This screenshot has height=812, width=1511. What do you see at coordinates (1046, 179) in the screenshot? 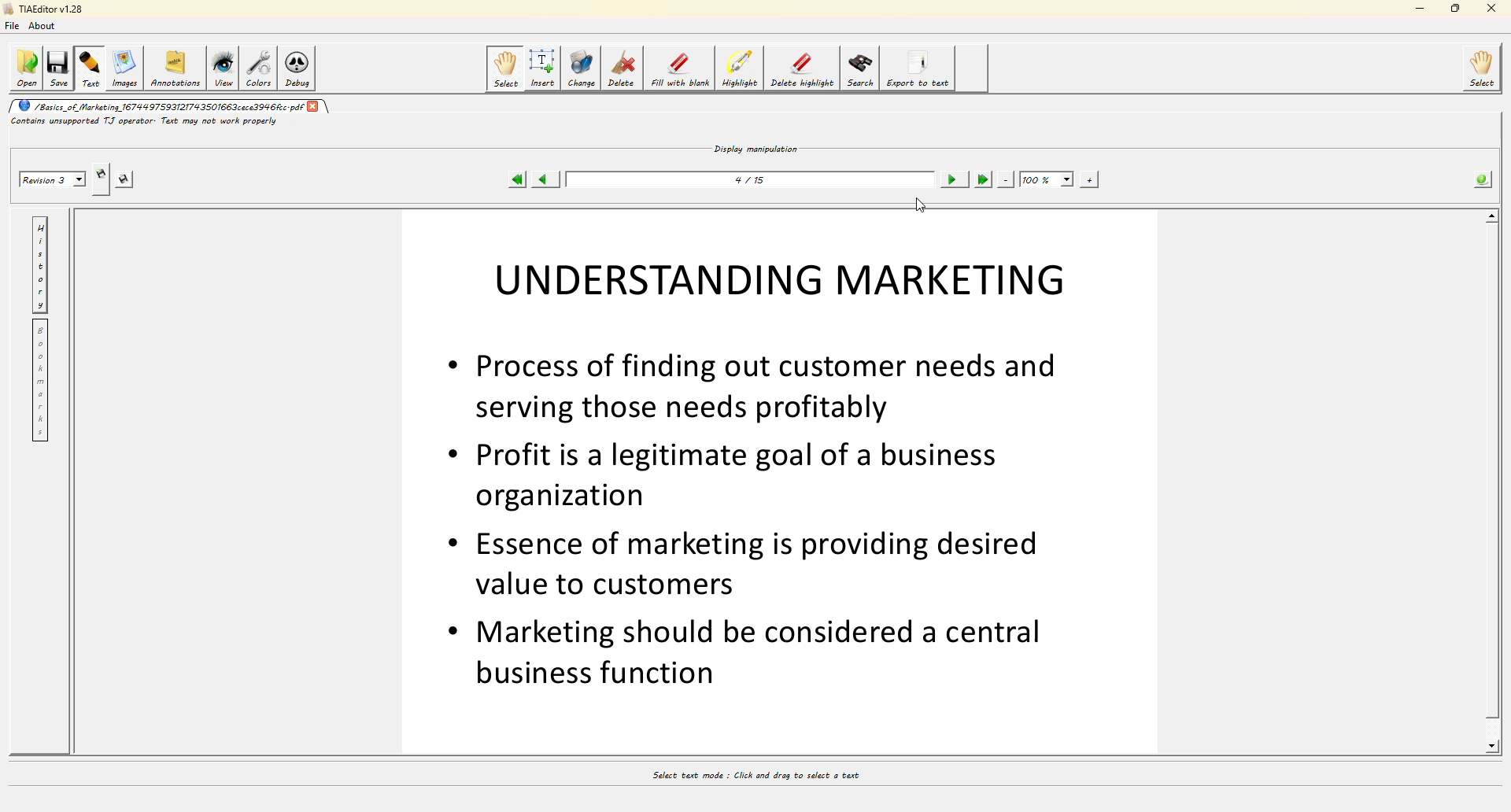
I see `150%` at bounding box center [1046, 179].